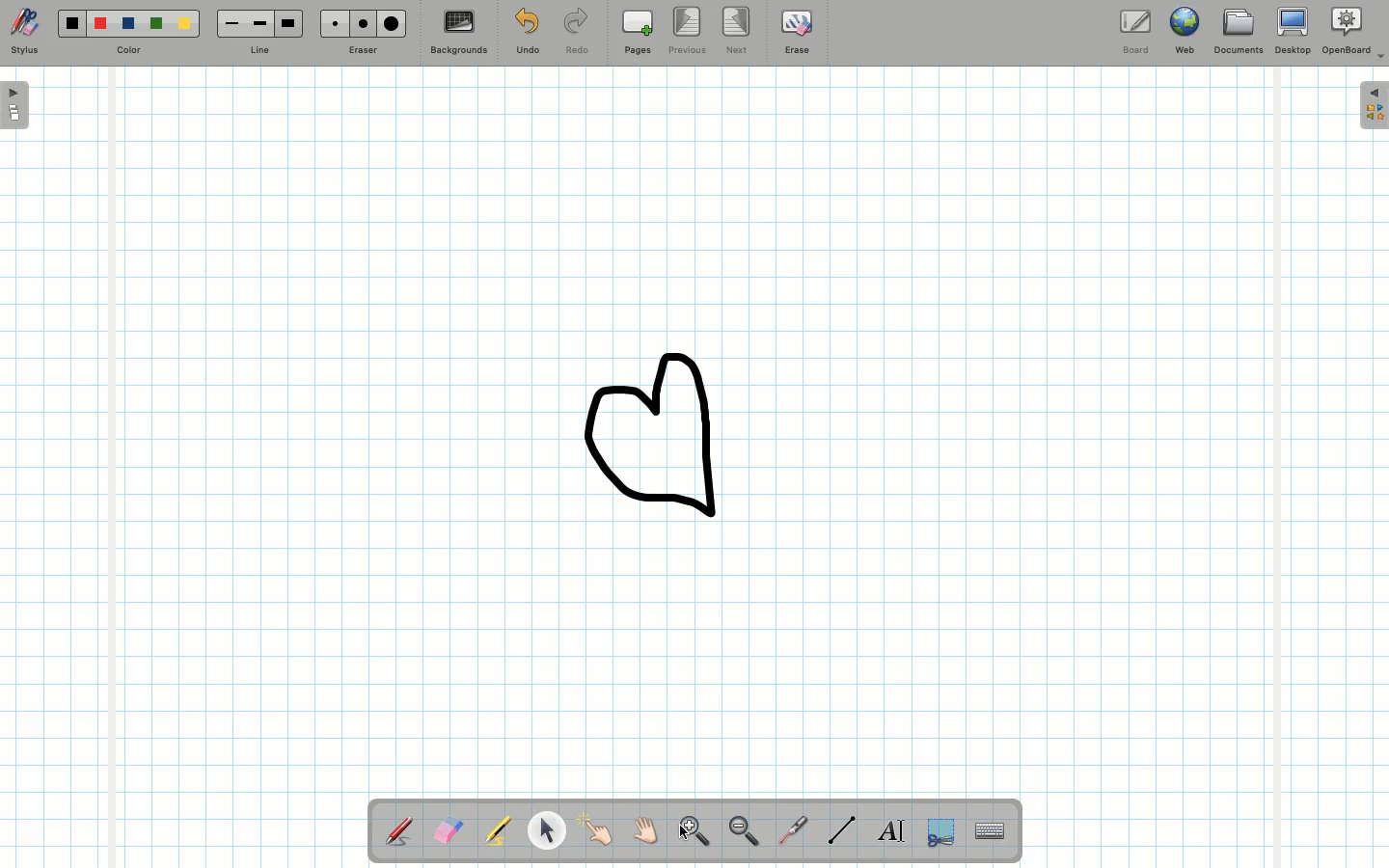 The height and width of the screenshot is (868, 1389). Describe the element at coordinates (598, 830) in the screenshot. I see `Pointer` at that location.